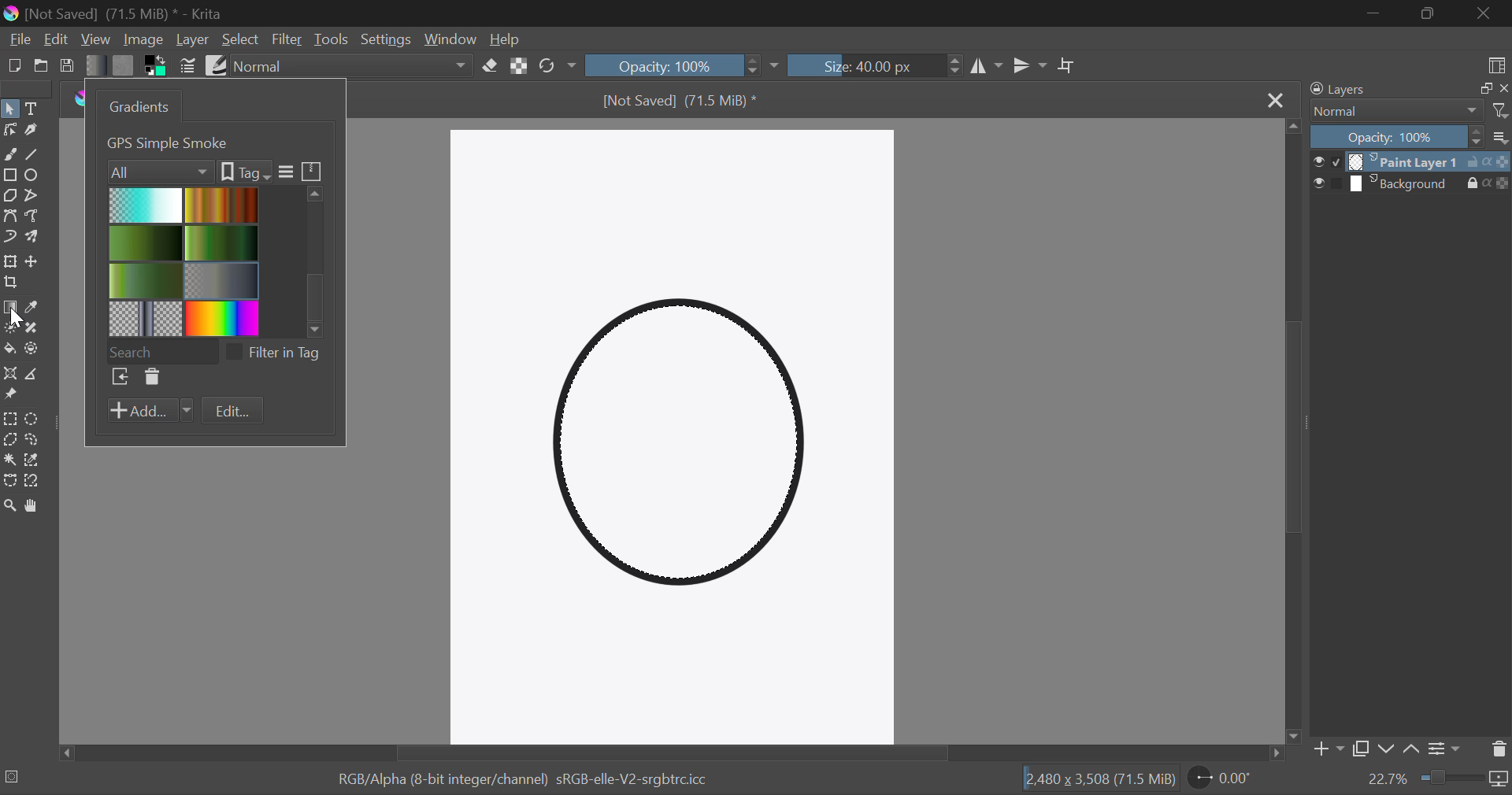  Describe the element at coordinates (147, 281) in the screenshot. I see `3 Green Gradient` at that location.